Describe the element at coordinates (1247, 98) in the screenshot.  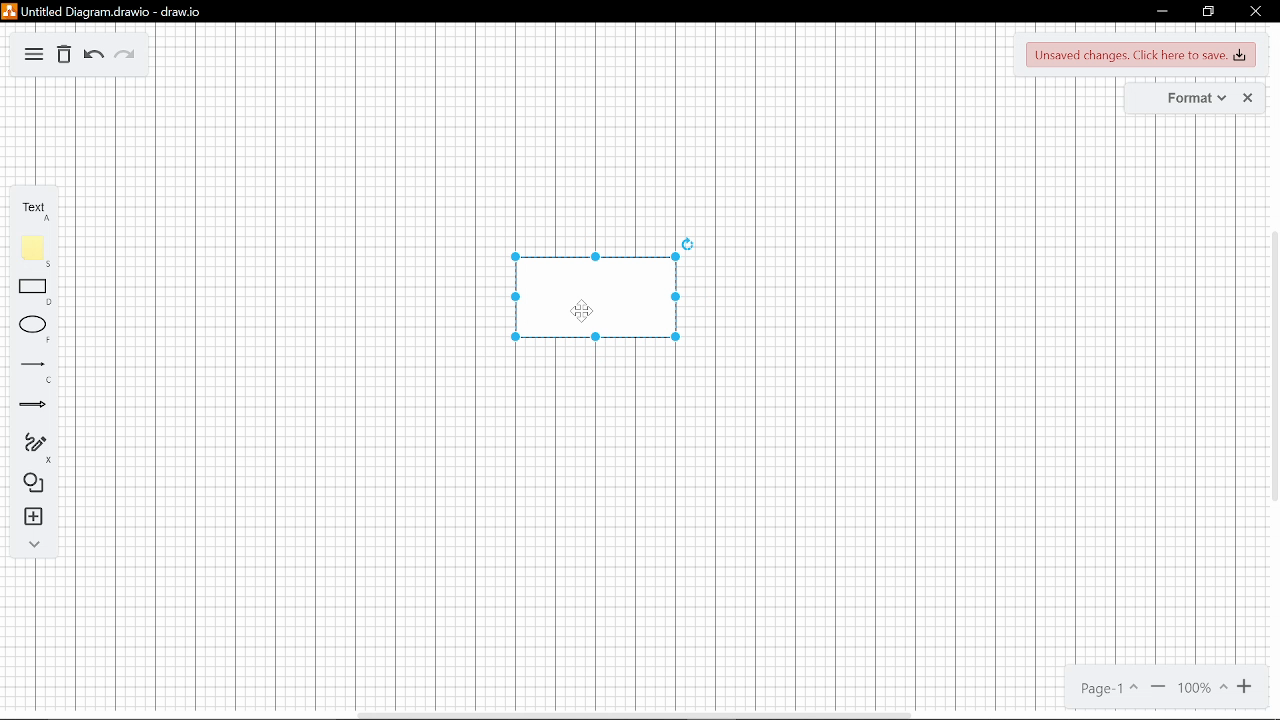
I see `close` at that location.